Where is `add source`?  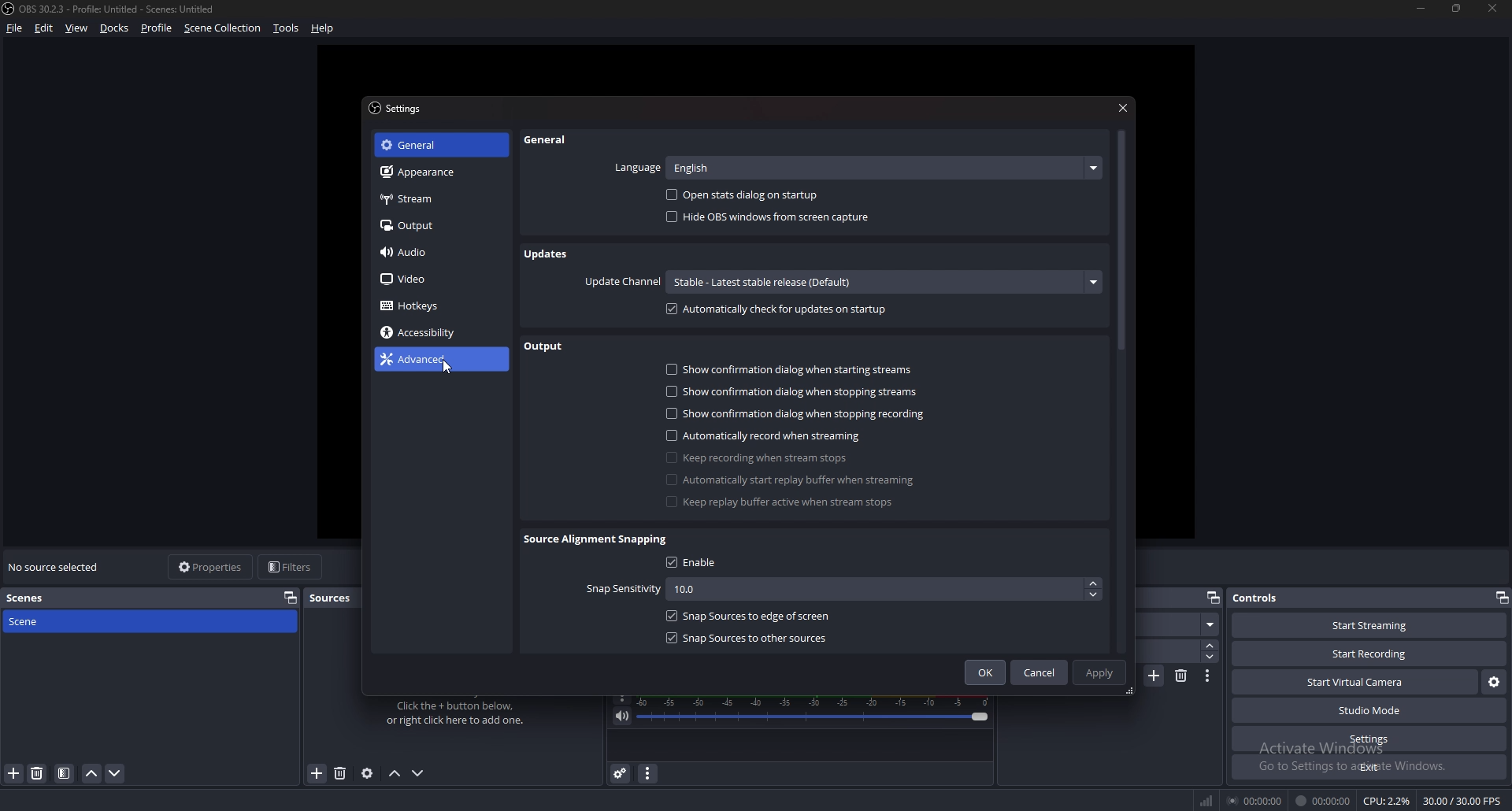
add source is located at coordinates (318, 772).